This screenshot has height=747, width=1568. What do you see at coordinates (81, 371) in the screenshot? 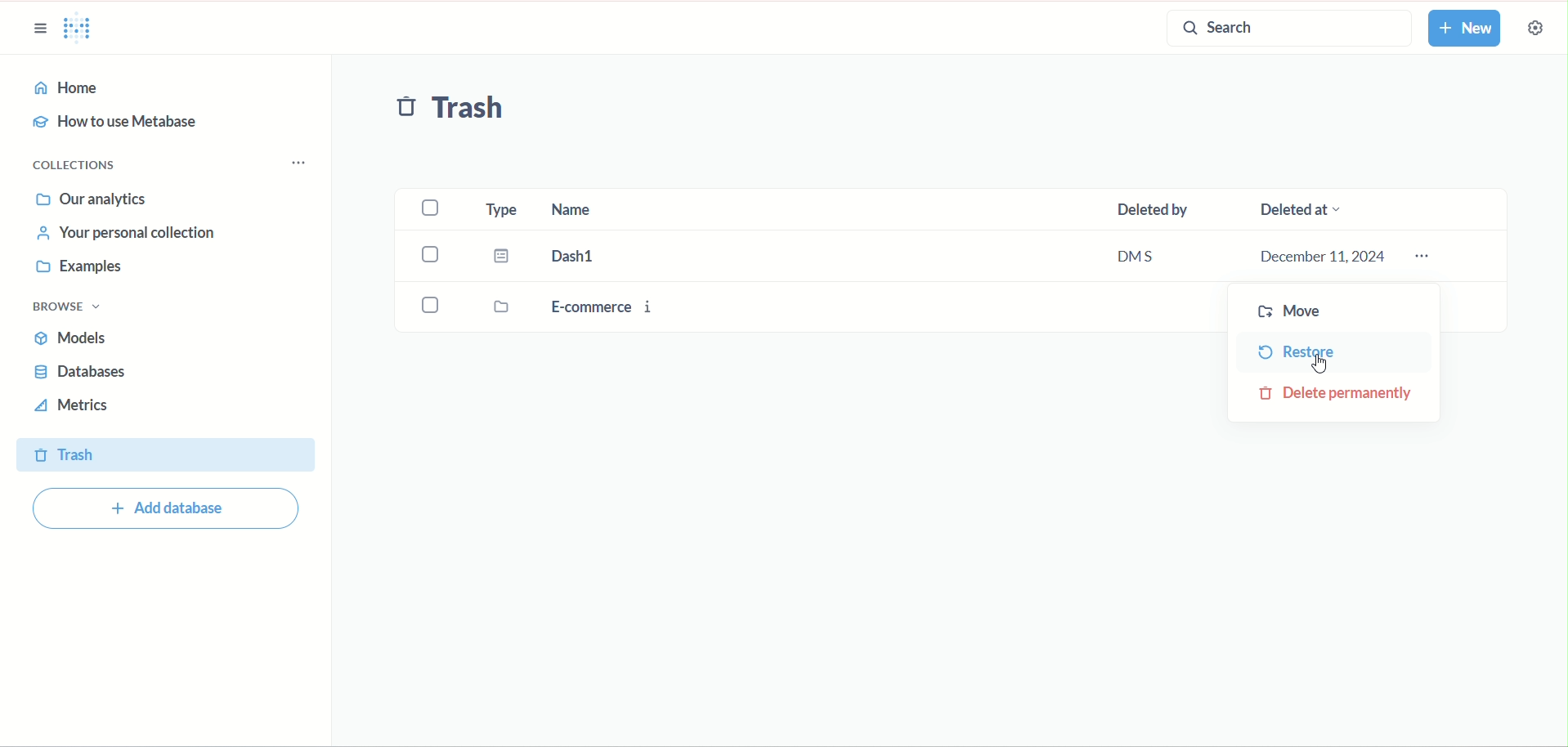
I see `database` at bounding box center [81, 371].